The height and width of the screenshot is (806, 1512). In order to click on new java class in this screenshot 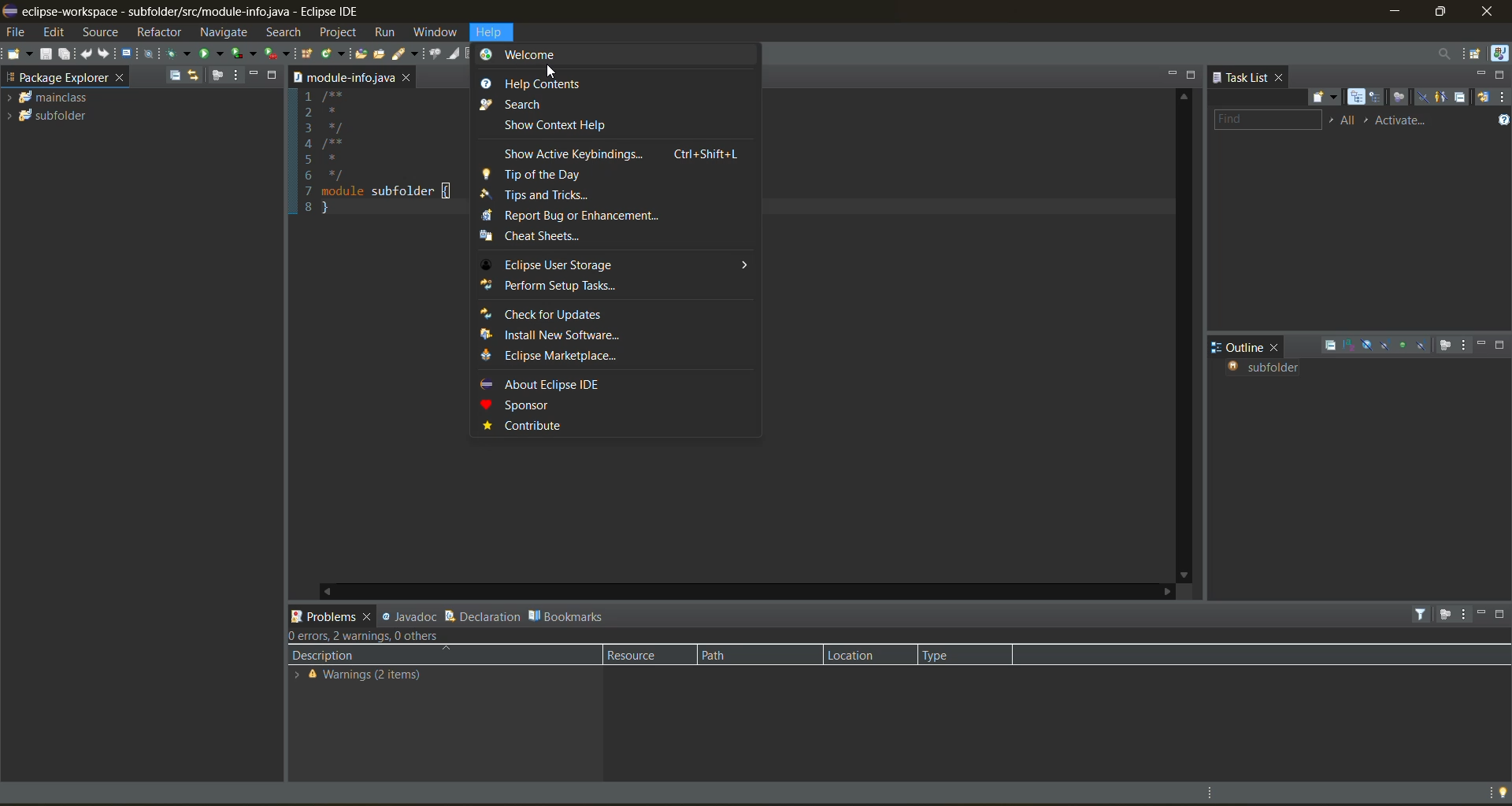, I will do `click(335, 54)`.